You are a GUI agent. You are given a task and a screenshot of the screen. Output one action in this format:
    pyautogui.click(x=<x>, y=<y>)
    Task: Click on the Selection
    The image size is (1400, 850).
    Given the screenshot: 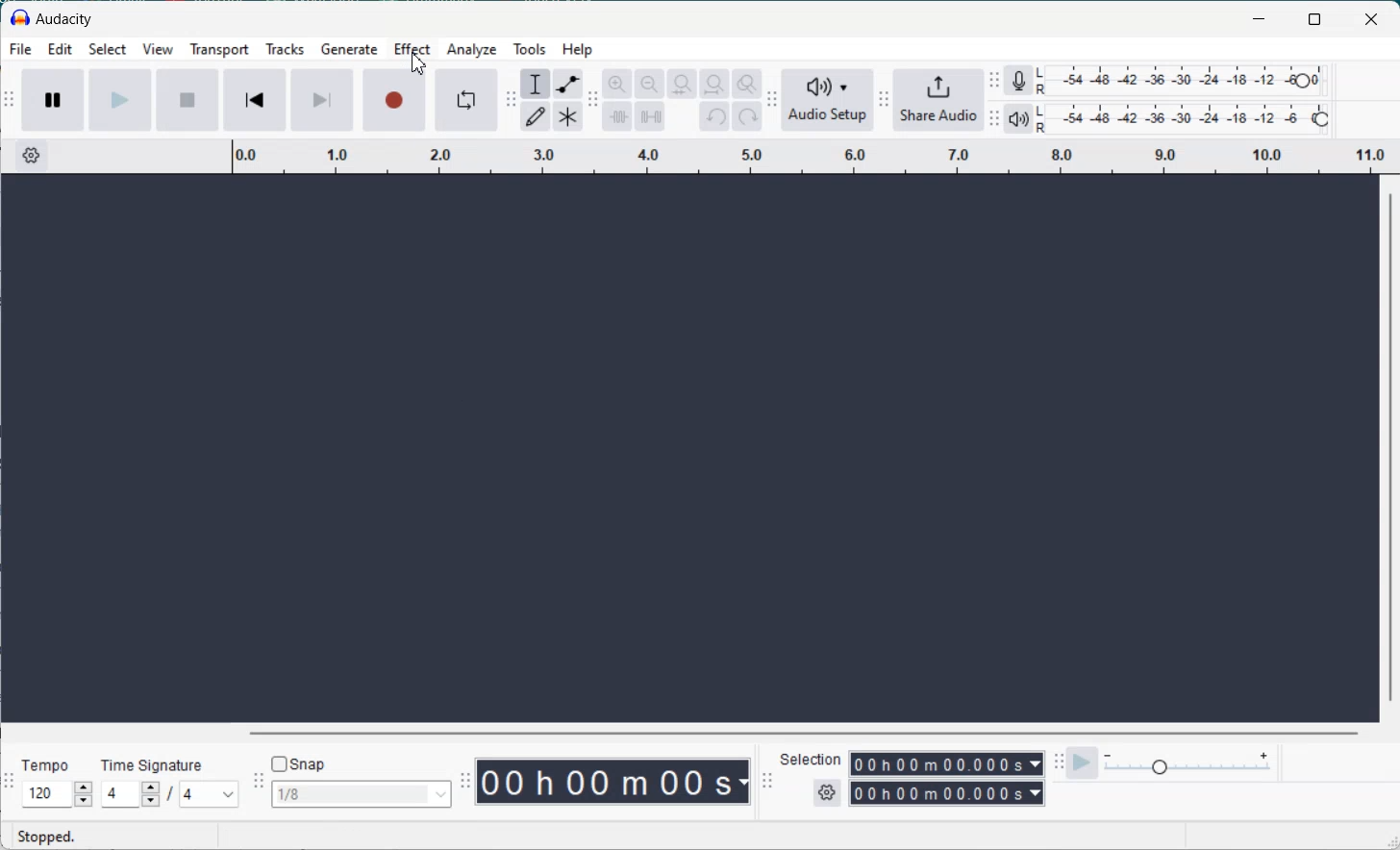 What is the action you would take?
    pyautogui.click(x=812, y=761)
    